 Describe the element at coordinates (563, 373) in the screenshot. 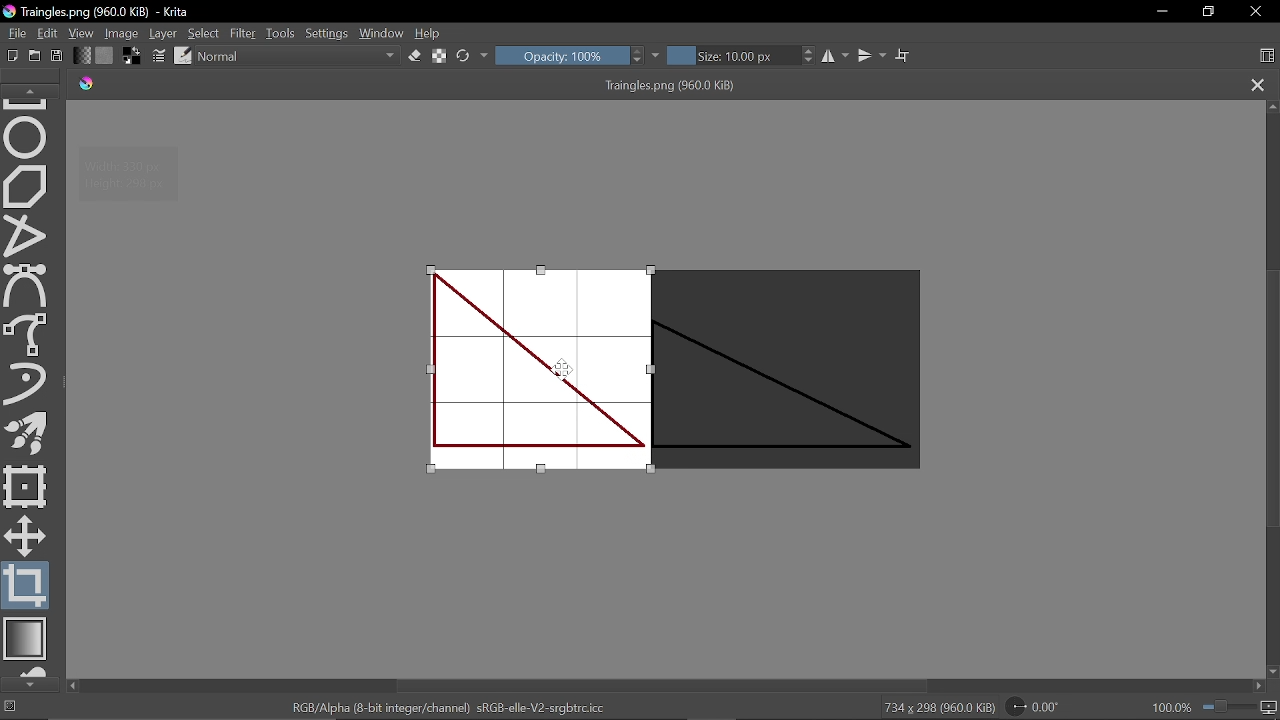

I see `Cursor` at that location.